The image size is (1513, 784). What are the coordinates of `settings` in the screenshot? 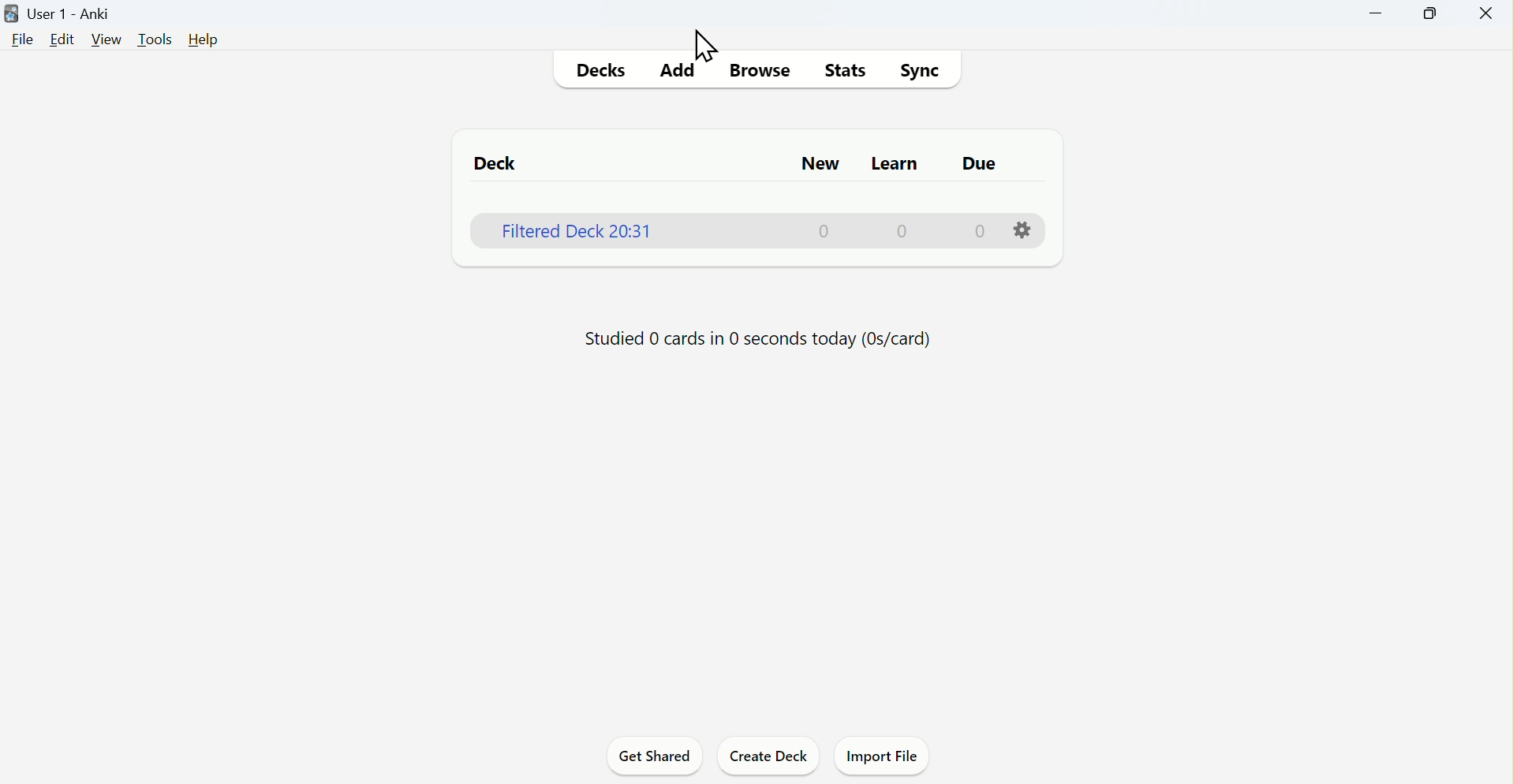 It's located at (1022, 230).